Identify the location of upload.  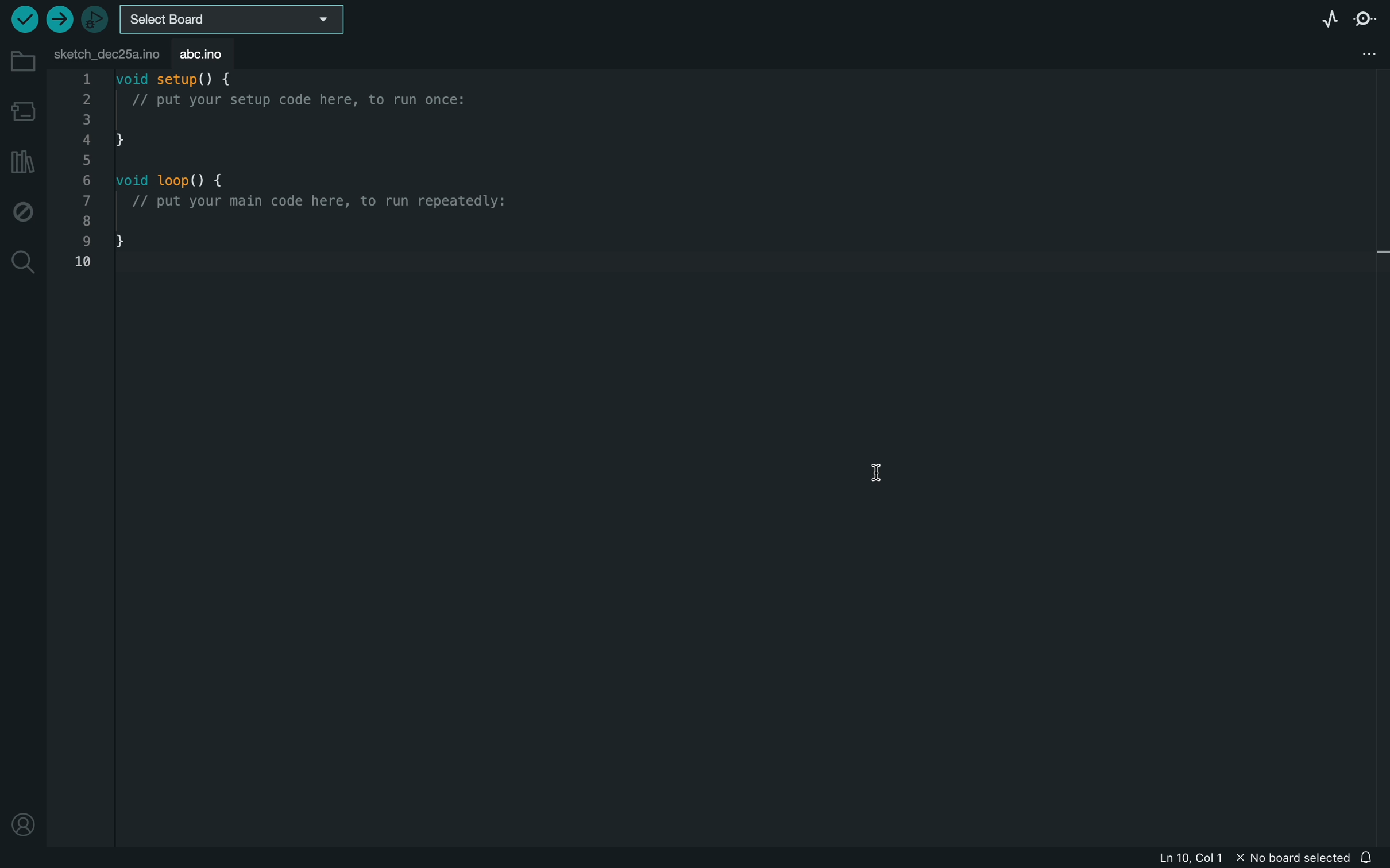
(59, 19).